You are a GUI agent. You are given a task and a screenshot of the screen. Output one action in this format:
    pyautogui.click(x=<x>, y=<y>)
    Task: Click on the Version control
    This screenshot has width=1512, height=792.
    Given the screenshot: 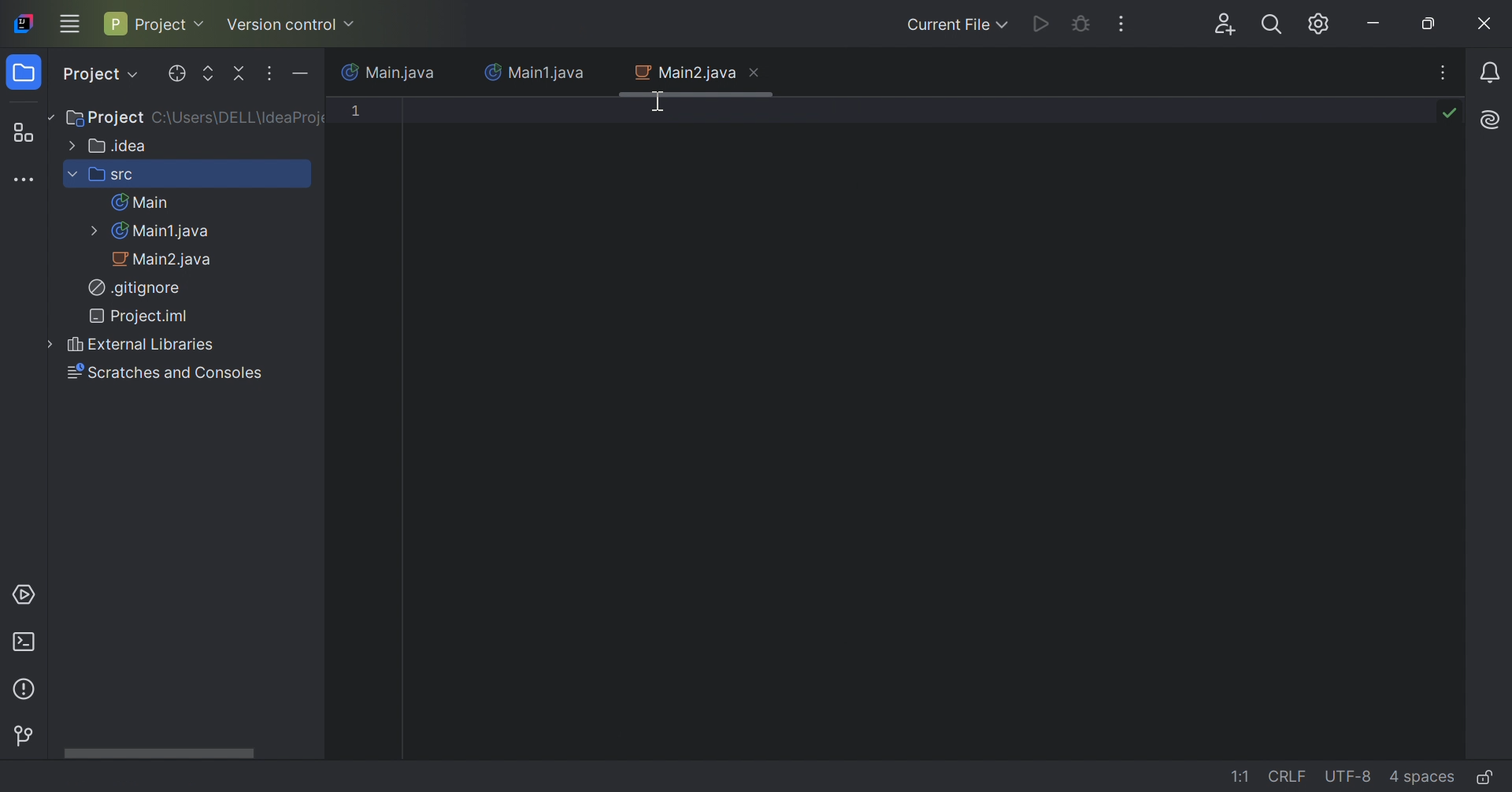 What is the action you would take?
    pyautogui.click(x=291, y=23)
    